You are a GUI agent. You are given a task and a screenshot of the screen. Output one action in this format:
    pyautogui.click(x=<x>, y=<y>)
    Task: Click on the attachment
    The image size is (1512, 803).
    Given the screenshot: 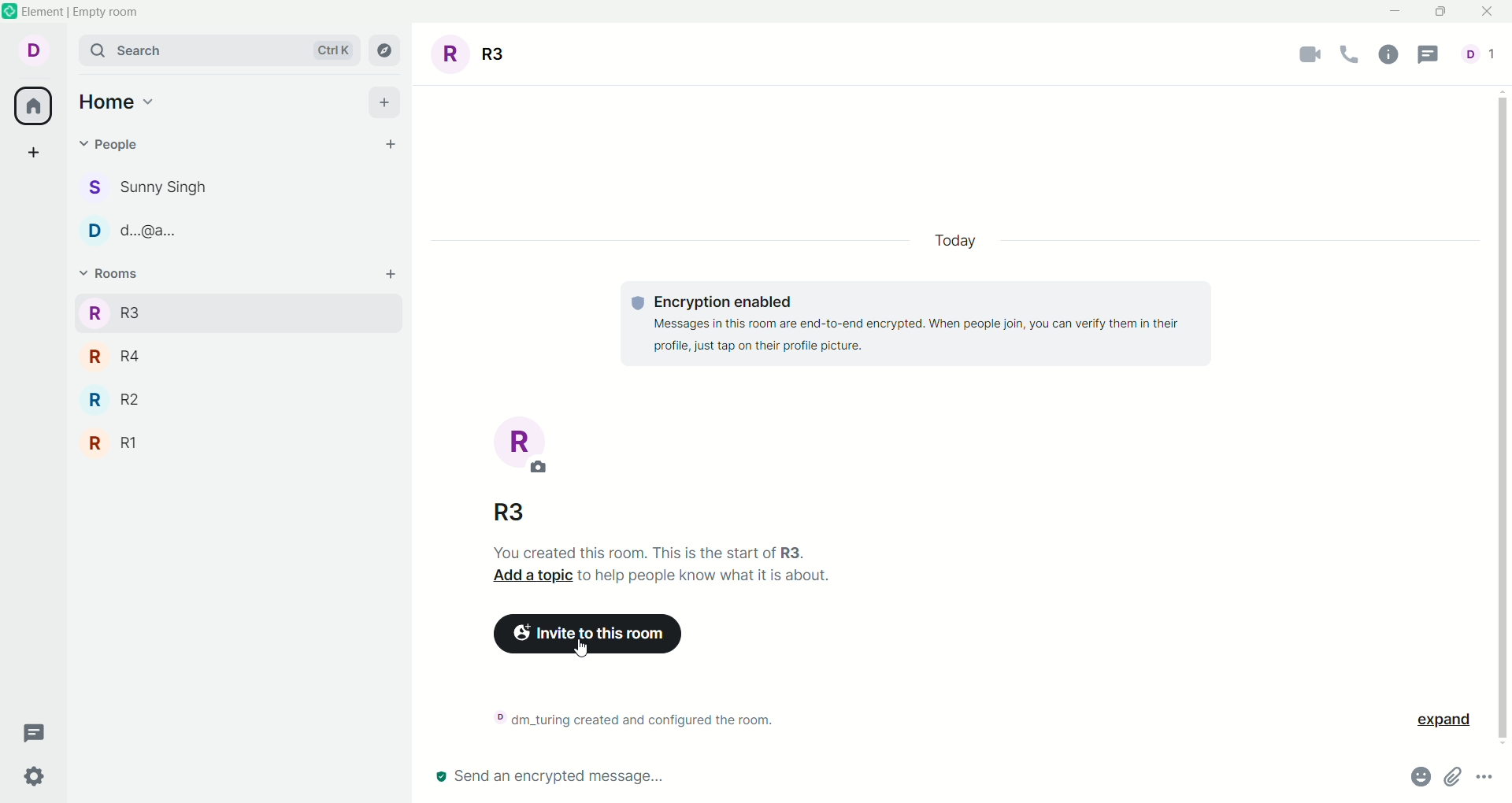 What is the action you would take?
    pyautogui.click(x=1453, y=779)
    